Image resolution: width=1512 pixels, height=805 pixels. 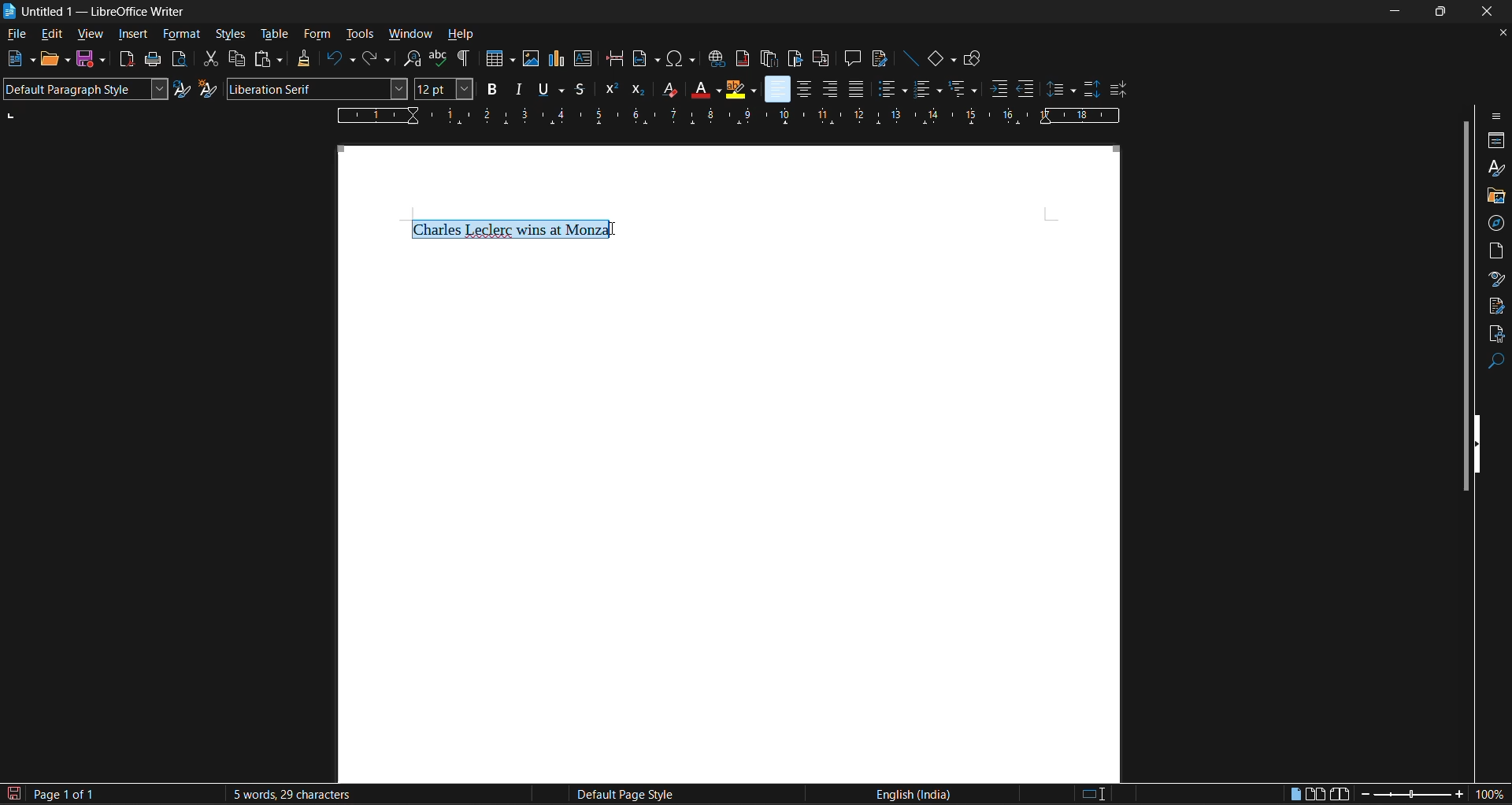 What do you see at coordinates (1495, 197) in the screenshot?
I see `gallery` at bounding box center [1495, 197].